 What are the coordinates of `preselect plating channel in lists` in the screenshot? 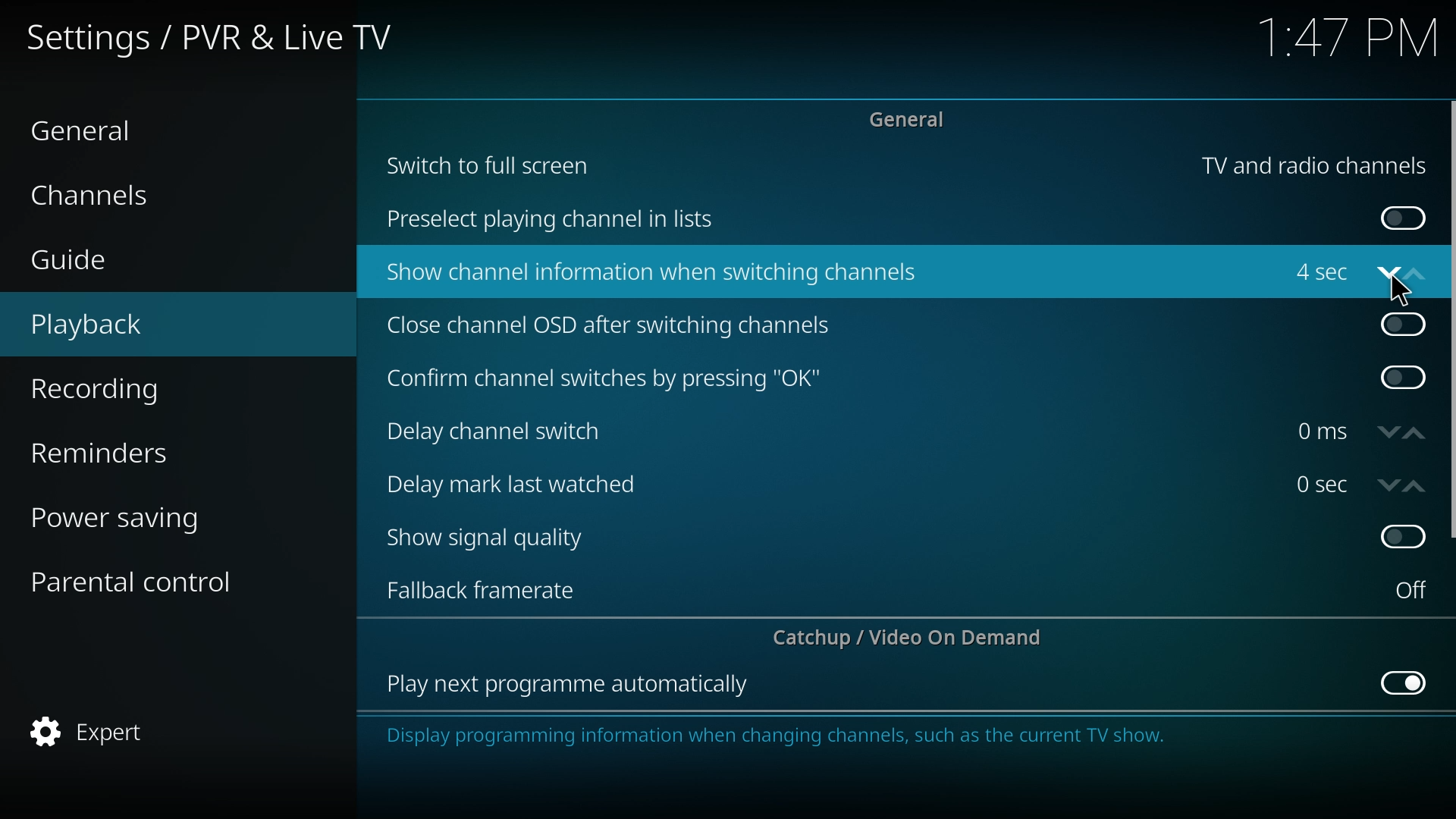 It's located at (556, 221).